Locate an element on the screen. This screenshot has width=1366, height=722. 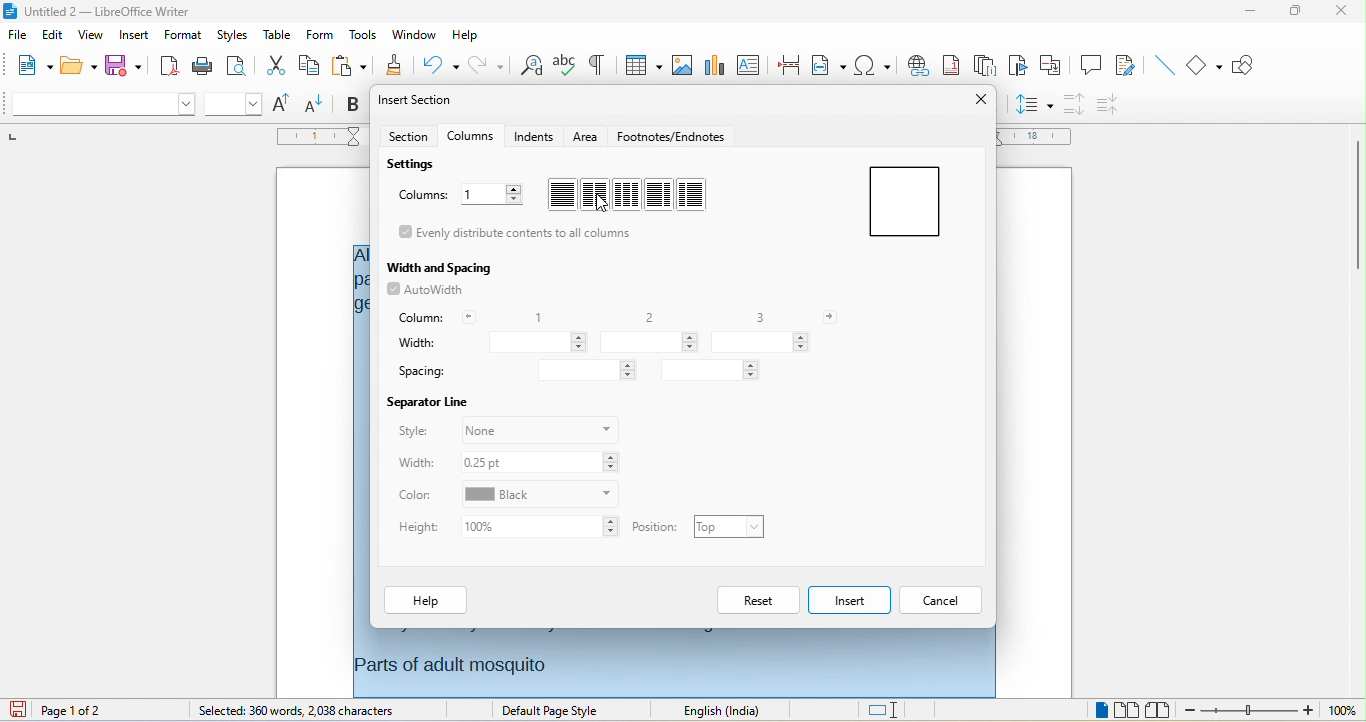
spacing is located at coordinates (423, 371).